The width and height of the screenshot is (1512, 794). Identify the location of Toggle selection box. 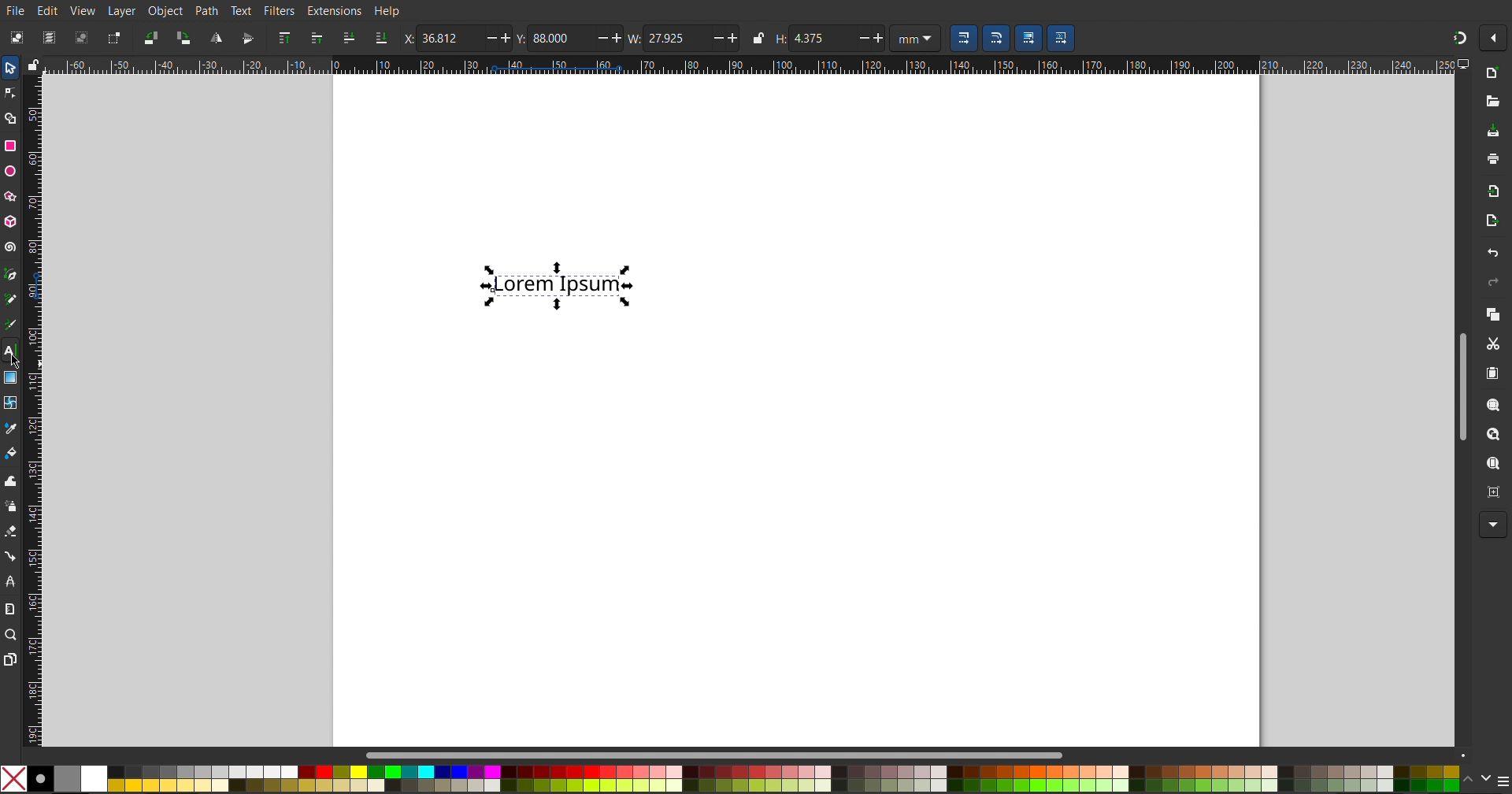
(113, 38).